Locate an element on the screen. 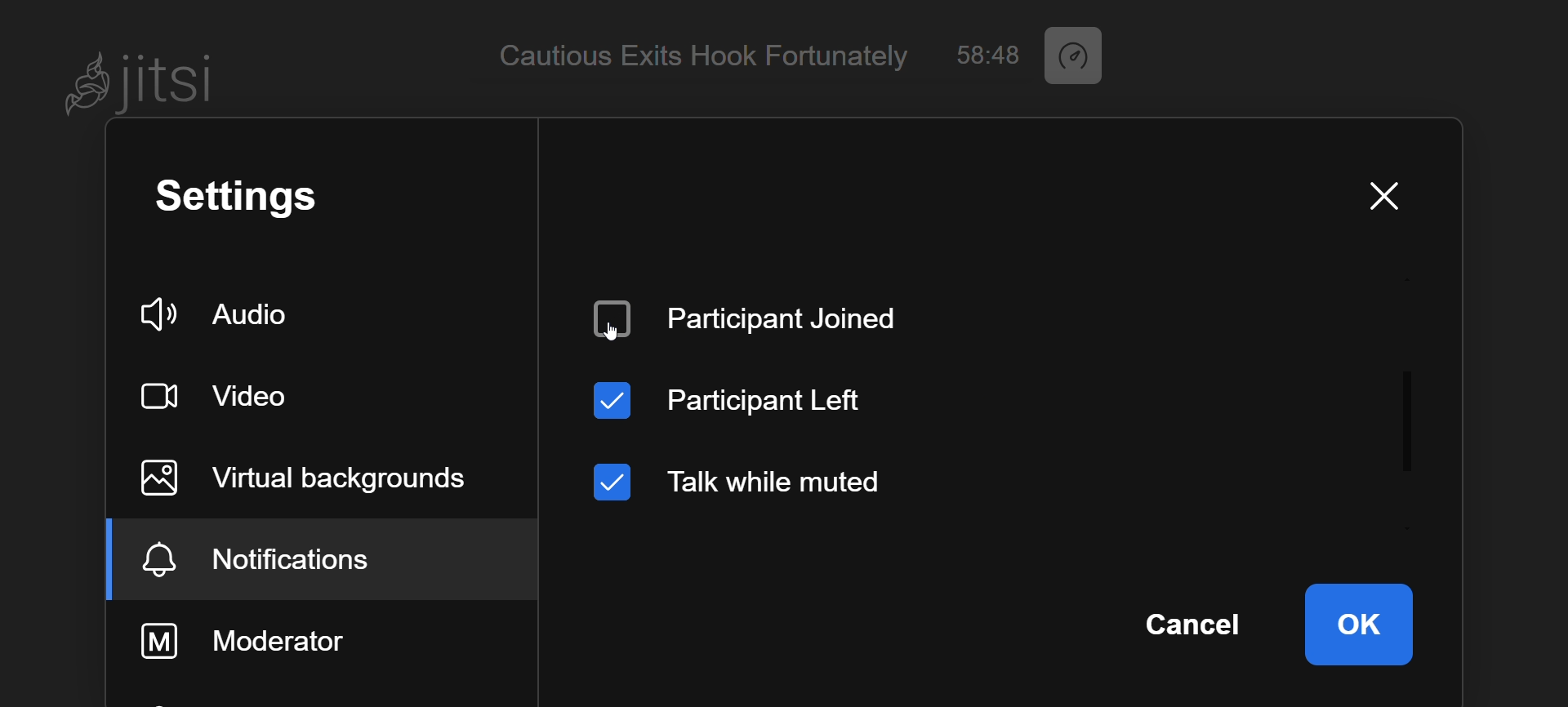  notification is located at coordinates (288, 562).